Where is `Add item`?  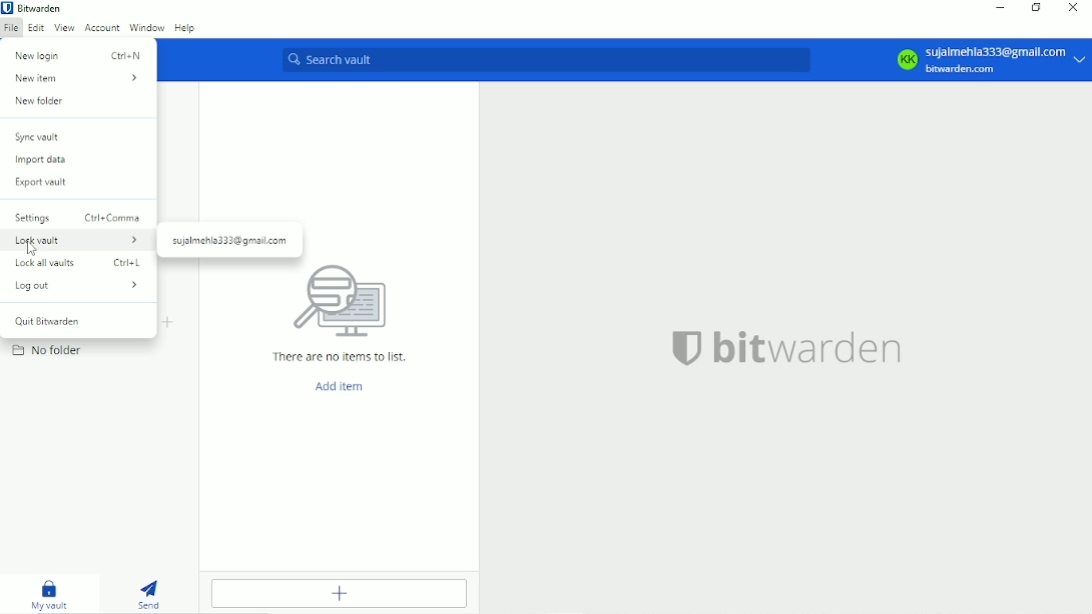 Add item is located at coordinates (343, 595).